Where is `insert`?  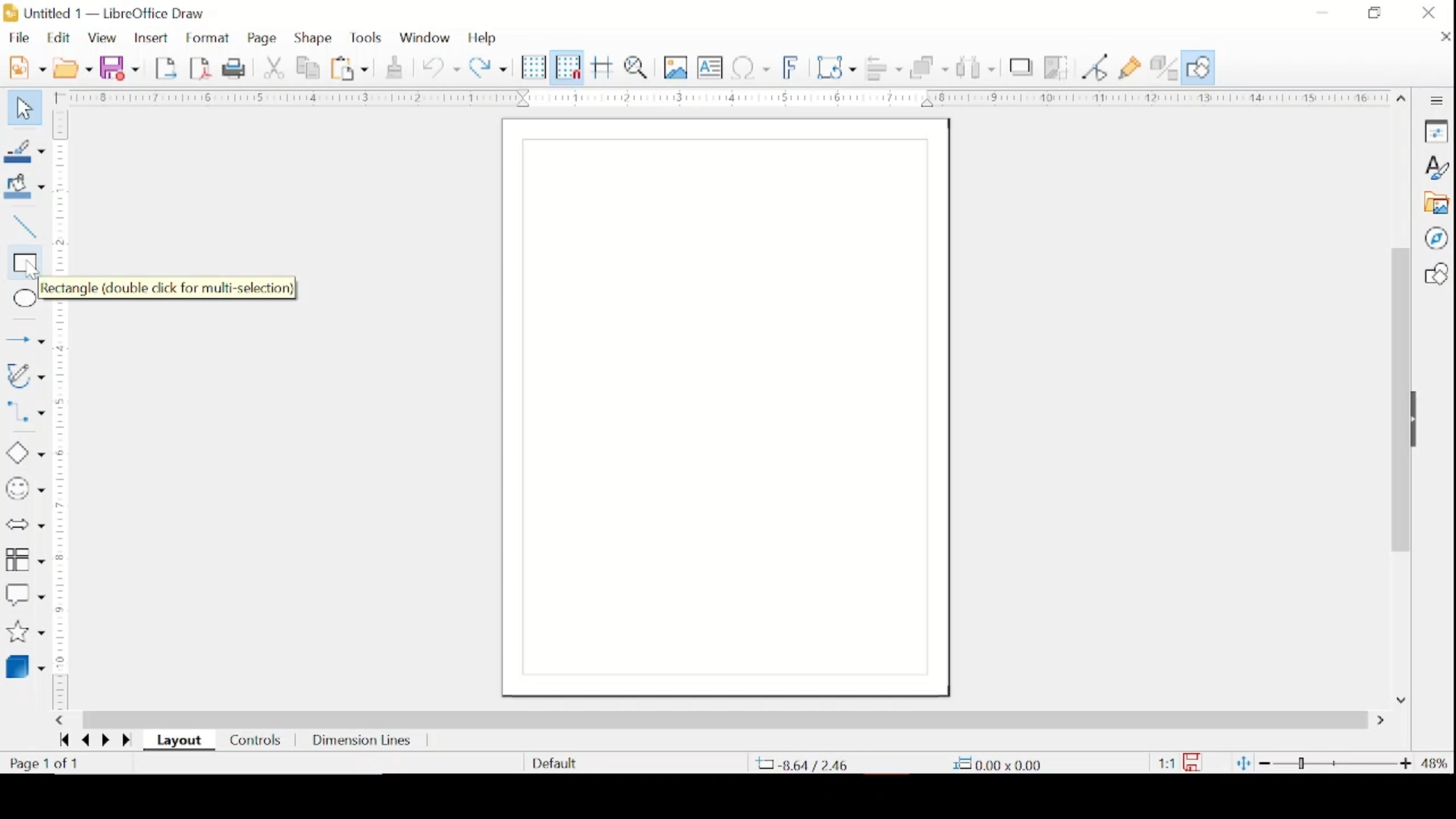
insert is located at coordinates (150, 39).